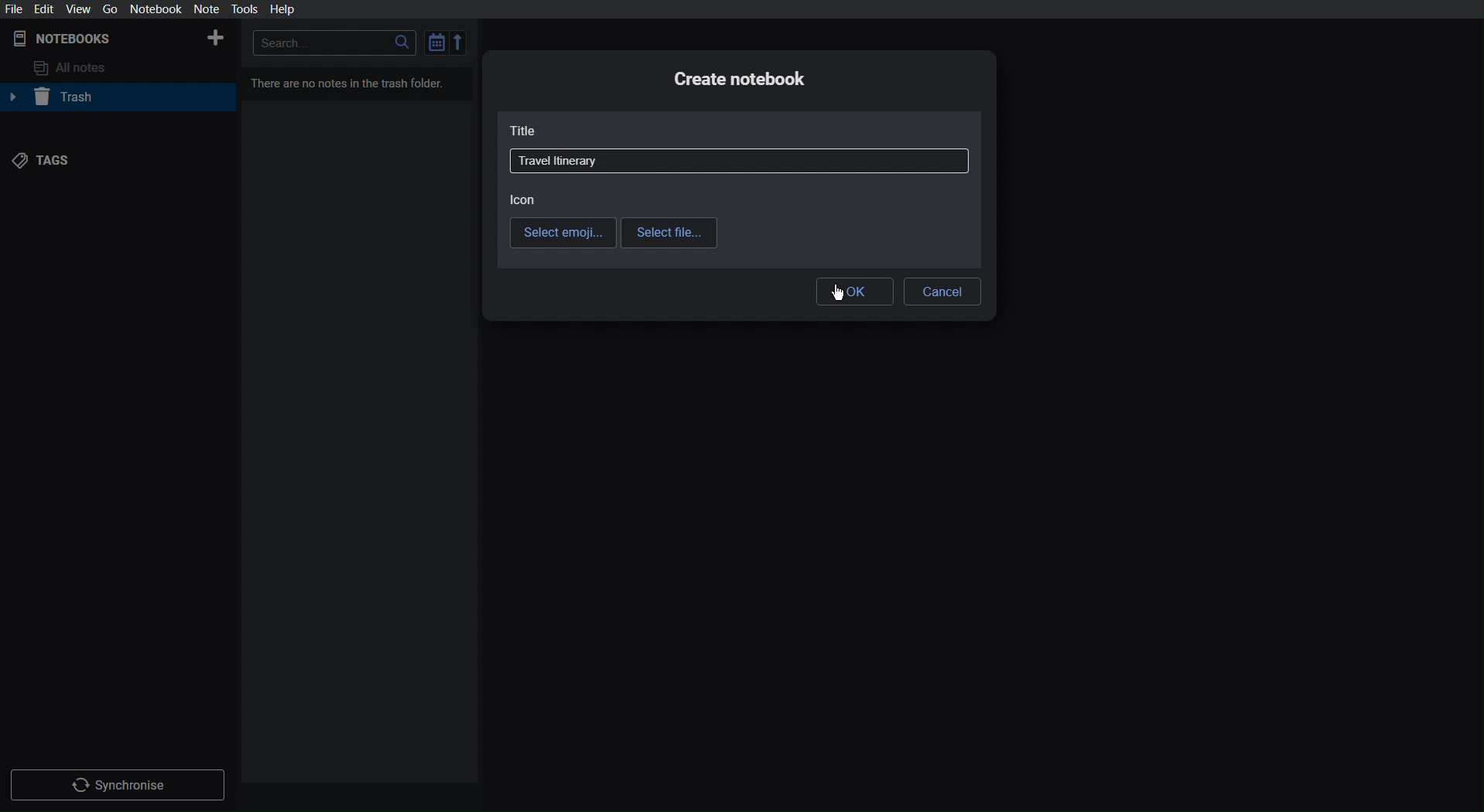 The width and height of the screenshot is (1484, 812). What do you see at coordinates (739, 80) in the screenshot?
I see `Create notebook` at bounding box center [739, 80].